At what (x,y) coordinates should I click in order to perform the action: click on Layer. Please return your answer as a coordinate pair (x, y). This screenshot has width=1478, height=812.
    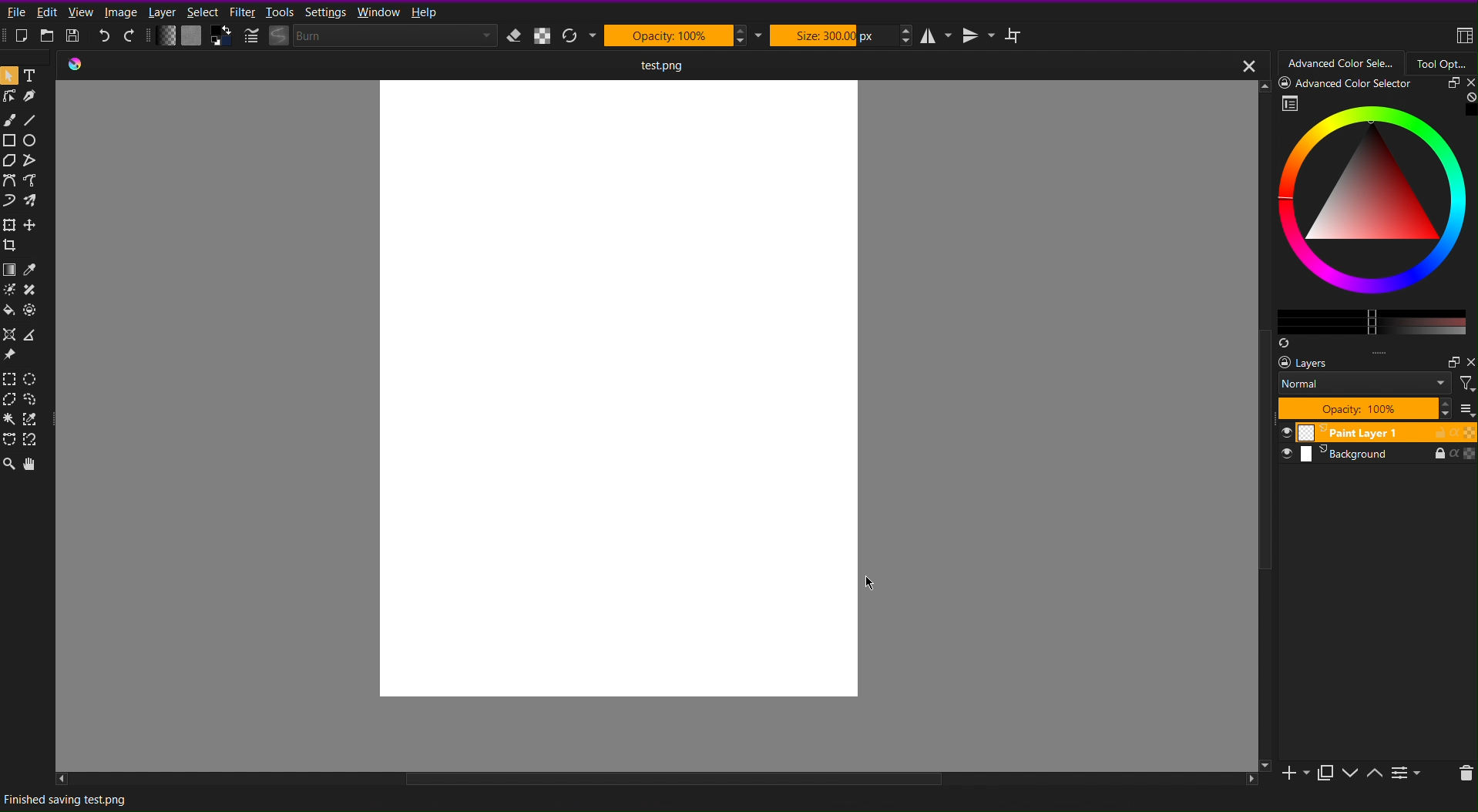
    Looking at the image, I should click on (160, 12).